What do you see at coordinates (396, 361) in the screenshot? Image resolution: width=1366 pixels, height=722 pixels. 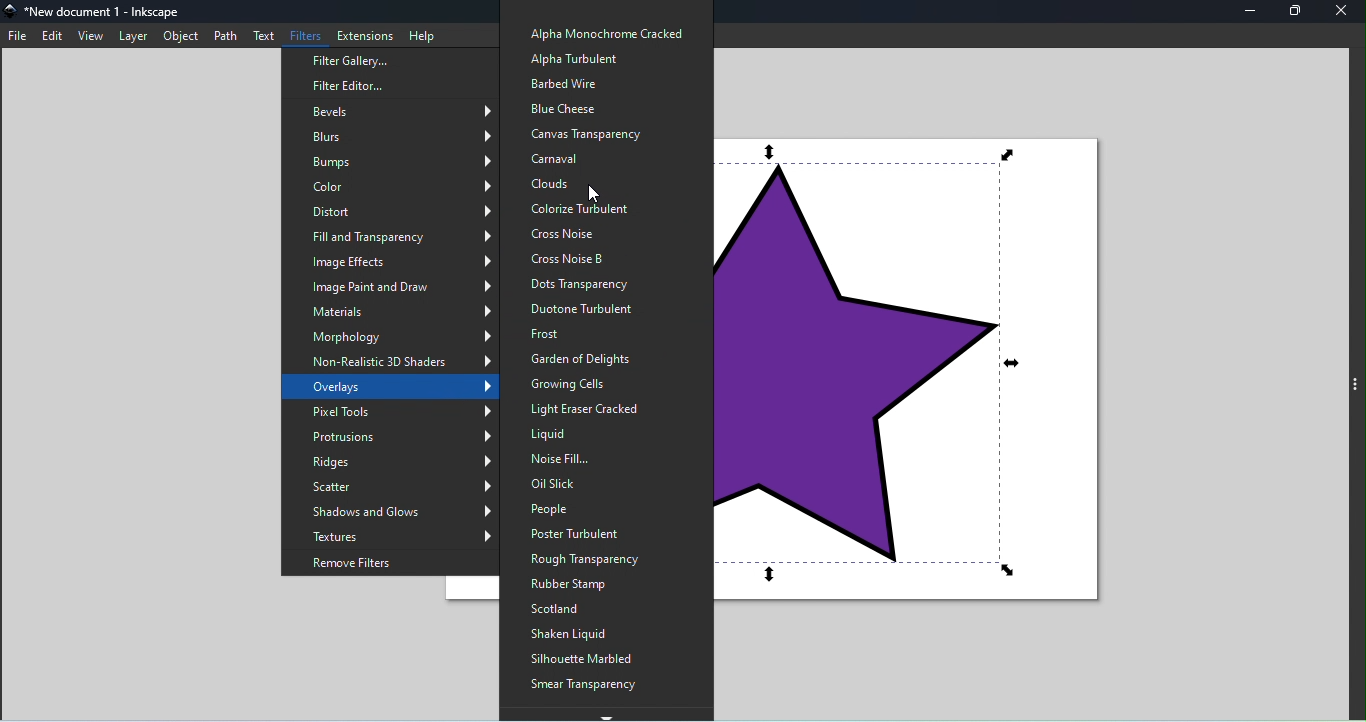 I see `Non realistic 3D shades` at bounding box center [396, 361].